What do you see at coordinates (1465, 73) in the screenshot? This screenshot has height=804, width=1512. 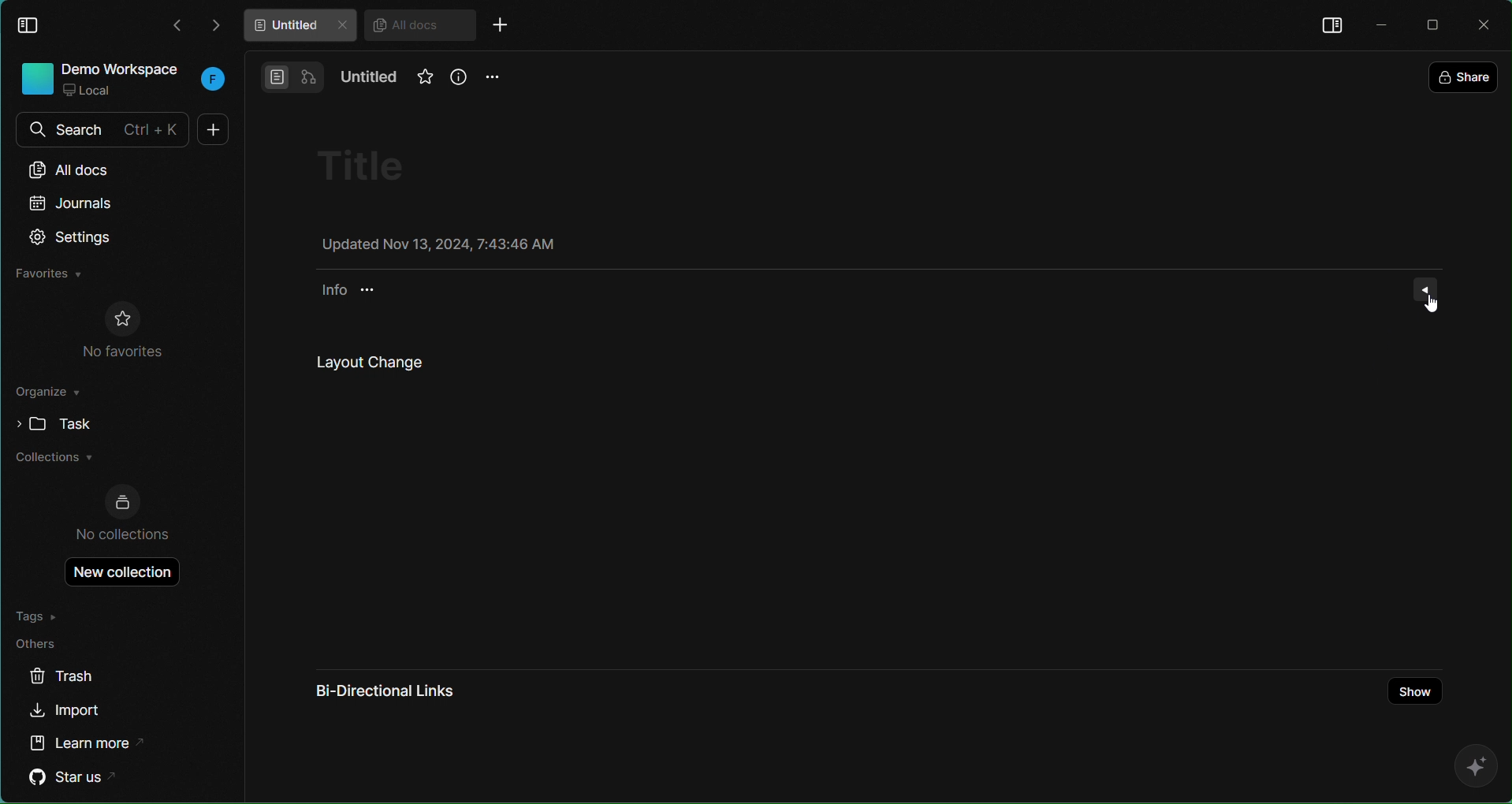 I see `share` at bounding box center [1465, 73].